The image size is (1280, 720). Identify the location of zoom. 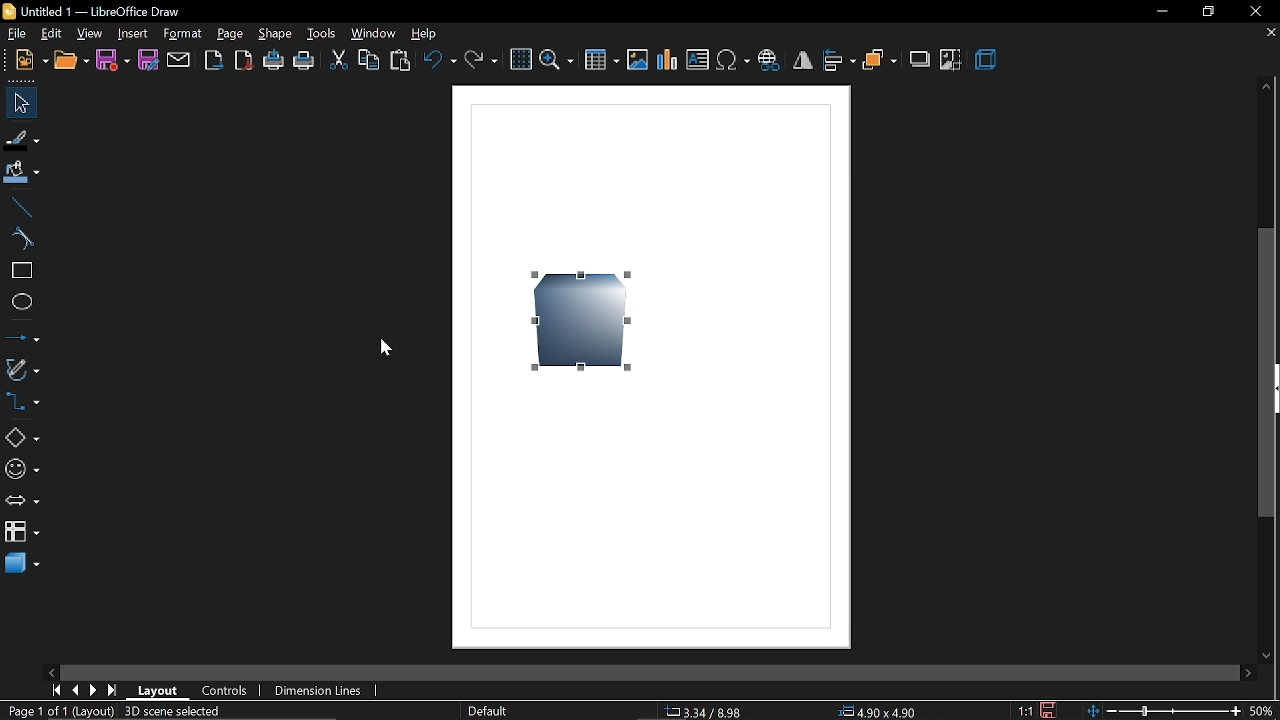
(556, 61).